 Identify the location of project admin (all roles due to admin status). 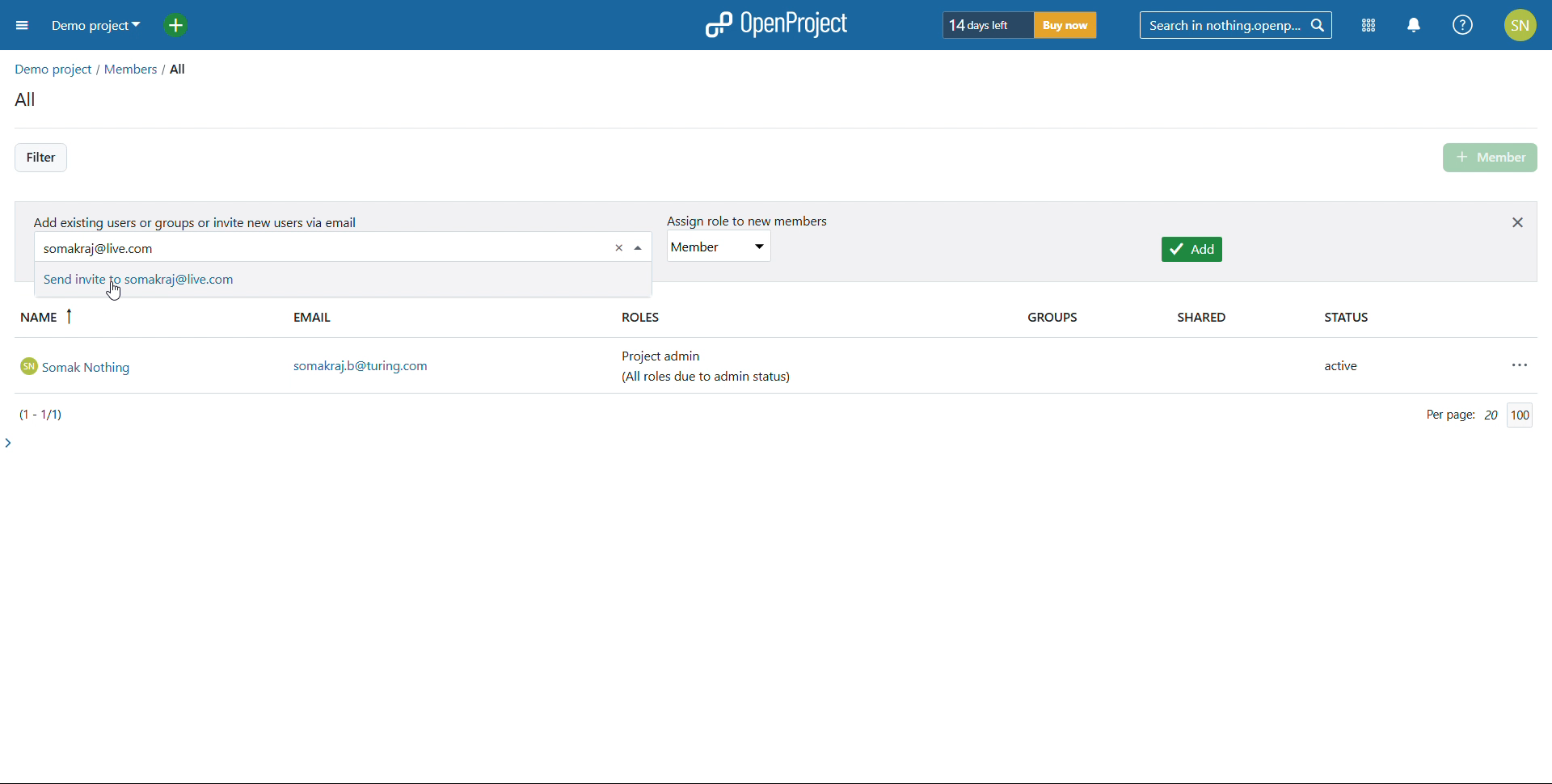
(715, 367).